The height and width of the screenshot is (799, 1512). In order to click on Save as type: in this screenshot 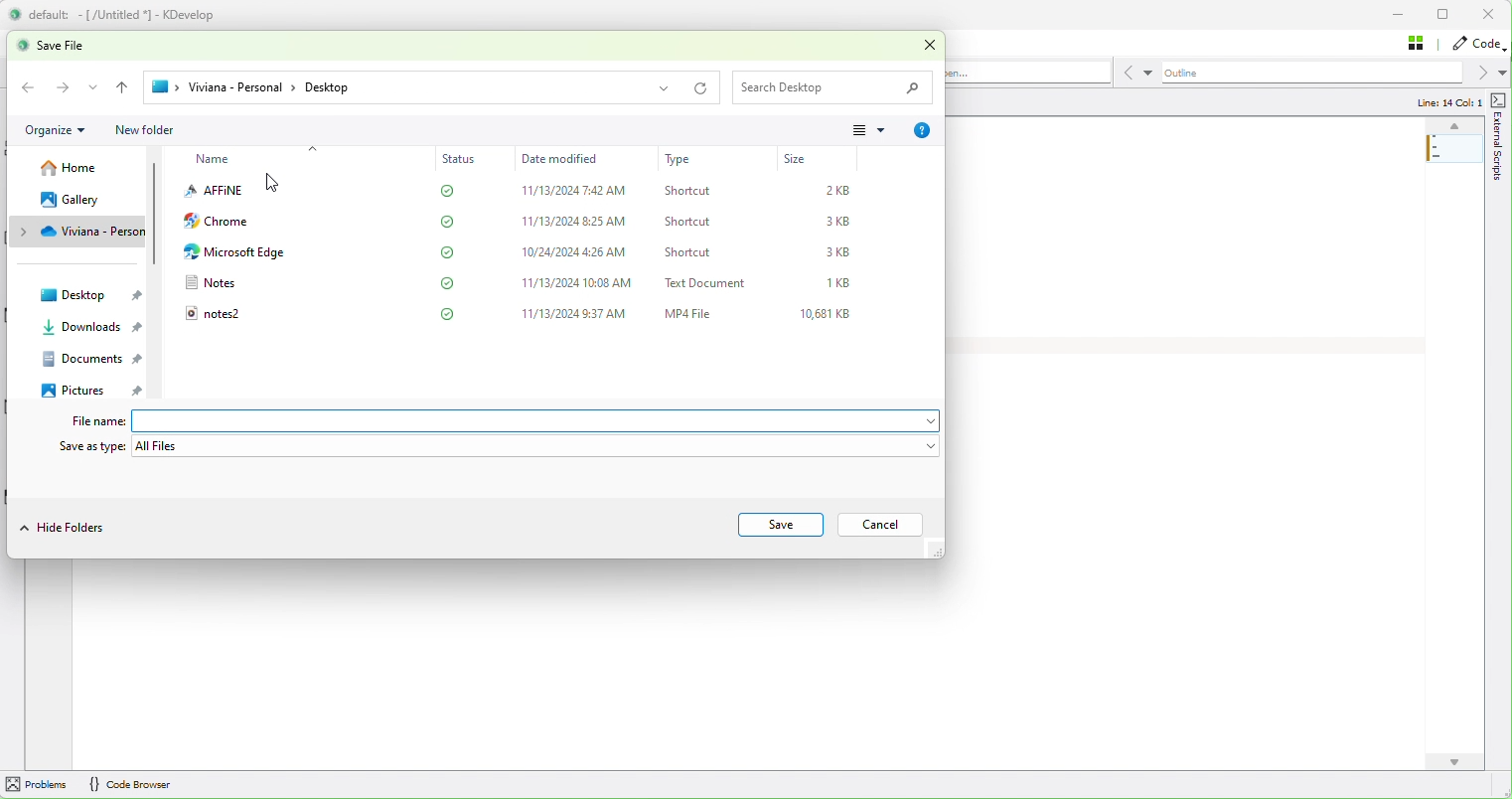, I will do `click(90, 445)`.